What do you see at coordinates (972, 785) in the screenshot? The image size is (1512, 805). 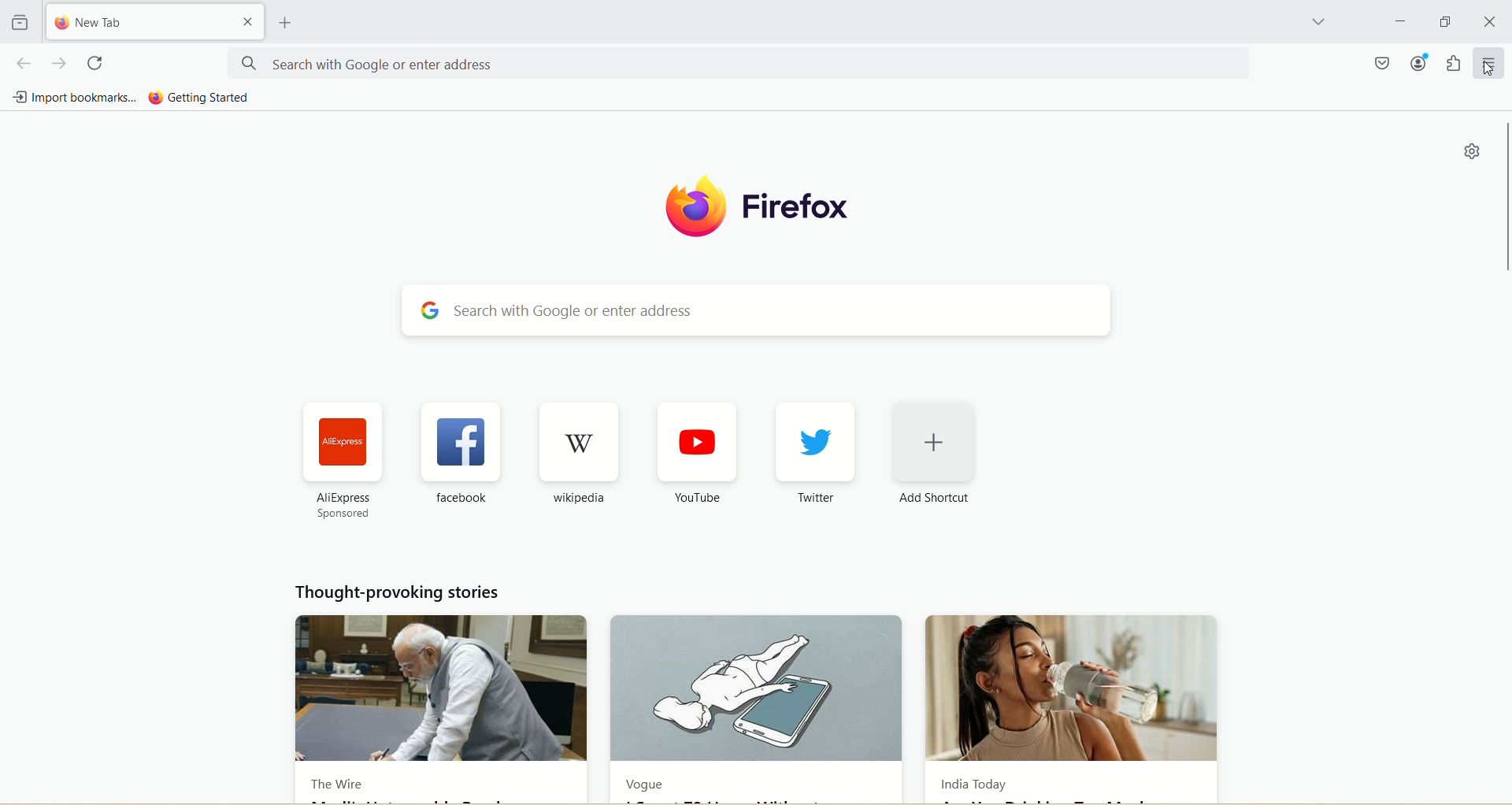 I see `India Today` at bounding box center [972, 785].